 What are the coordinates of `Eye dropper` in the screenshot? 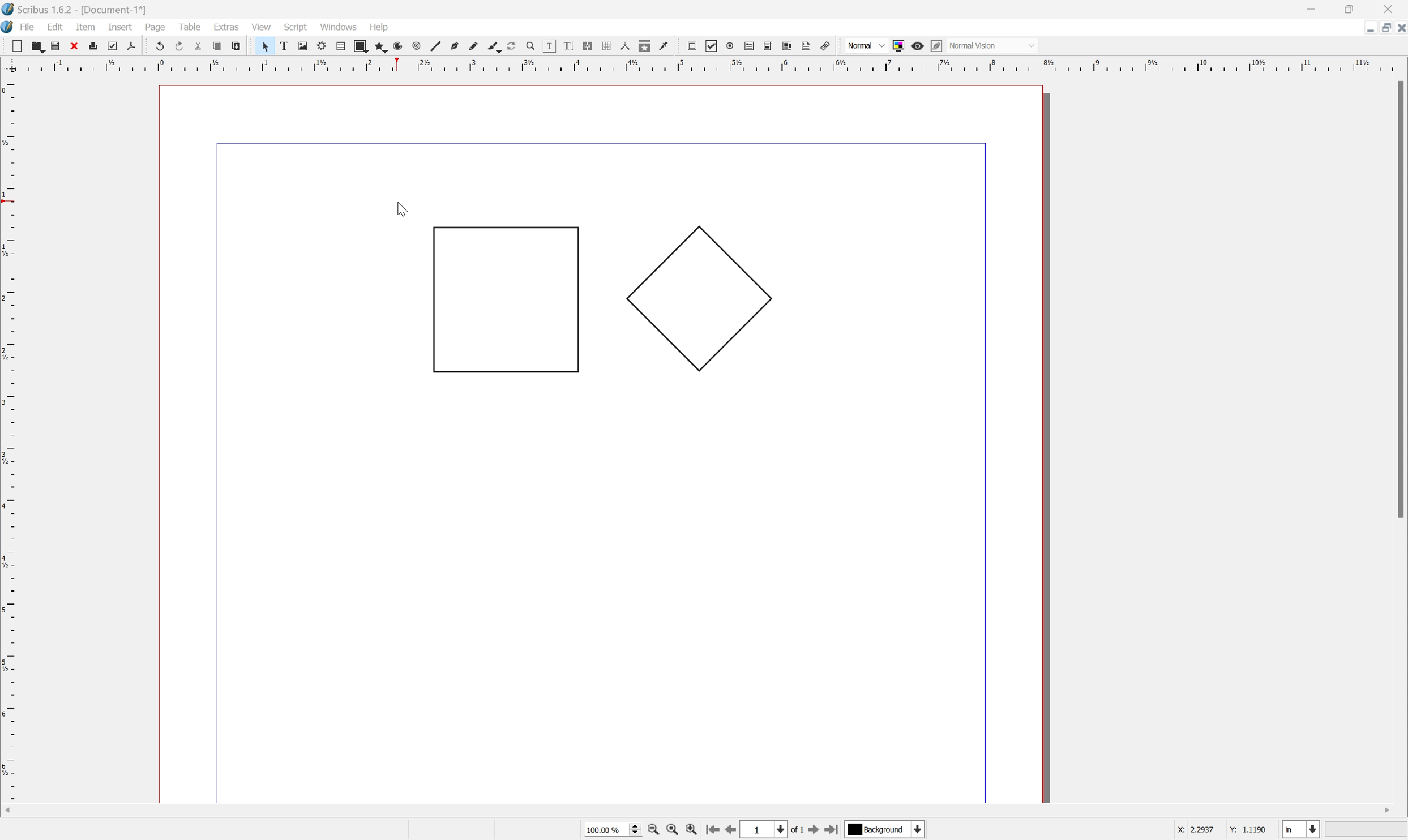 It's located at (664, 45).